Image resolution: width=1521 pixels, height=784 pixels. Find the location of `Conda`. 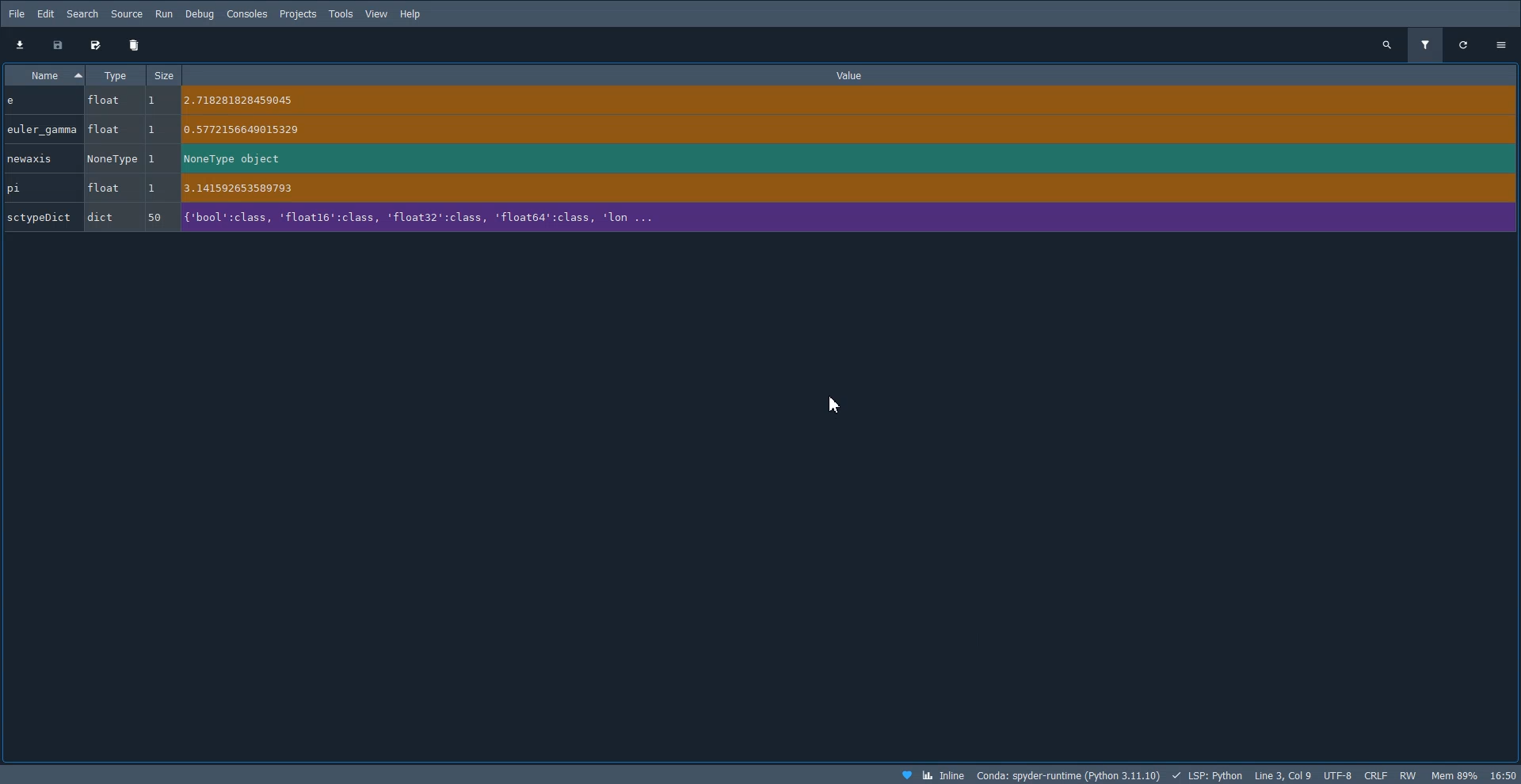

Conda is located at coordinates (1069, 774).